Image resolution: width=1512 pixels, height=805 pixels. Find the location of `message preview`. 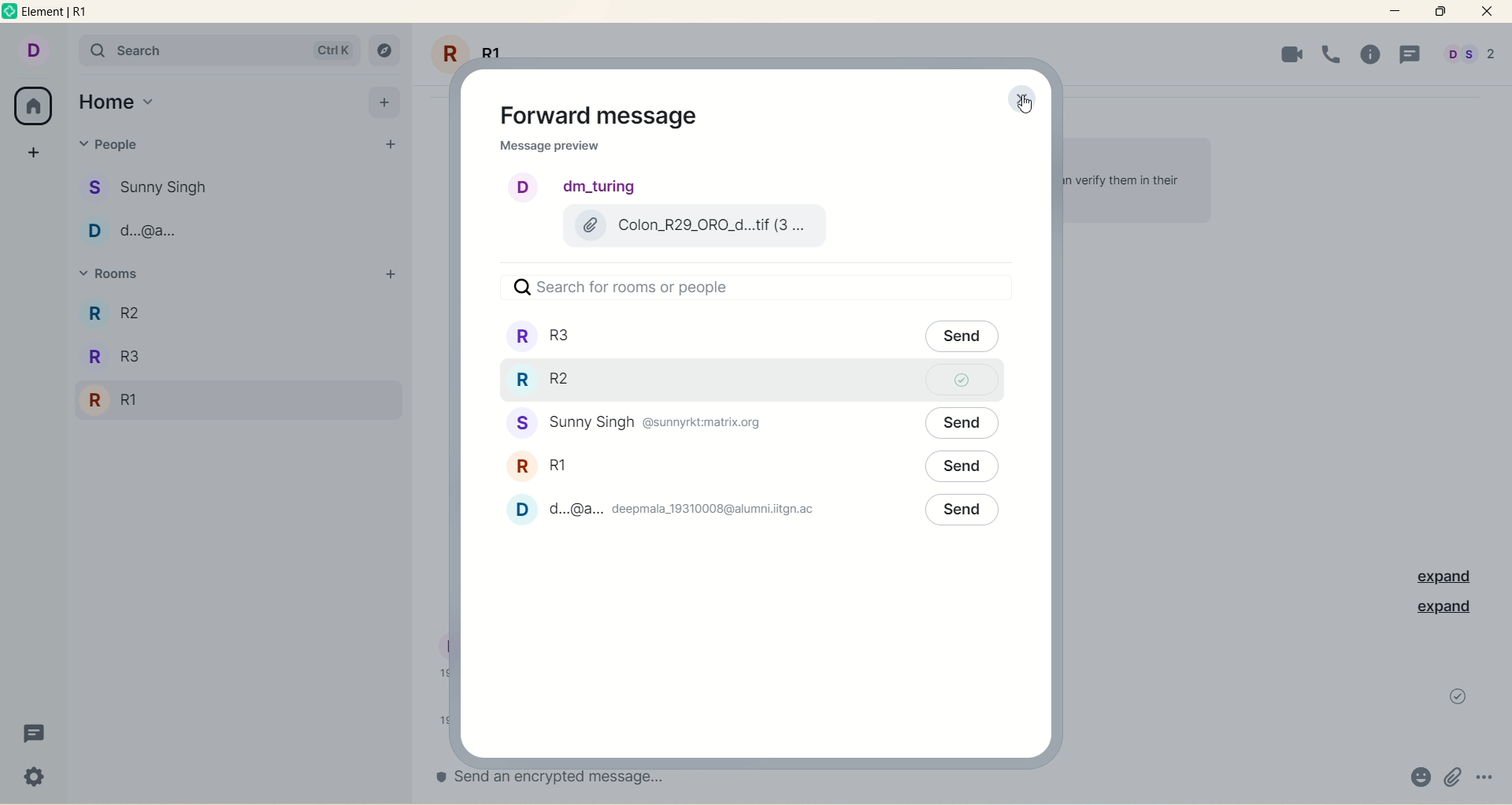

message preview is located at coordinates (550, 148).